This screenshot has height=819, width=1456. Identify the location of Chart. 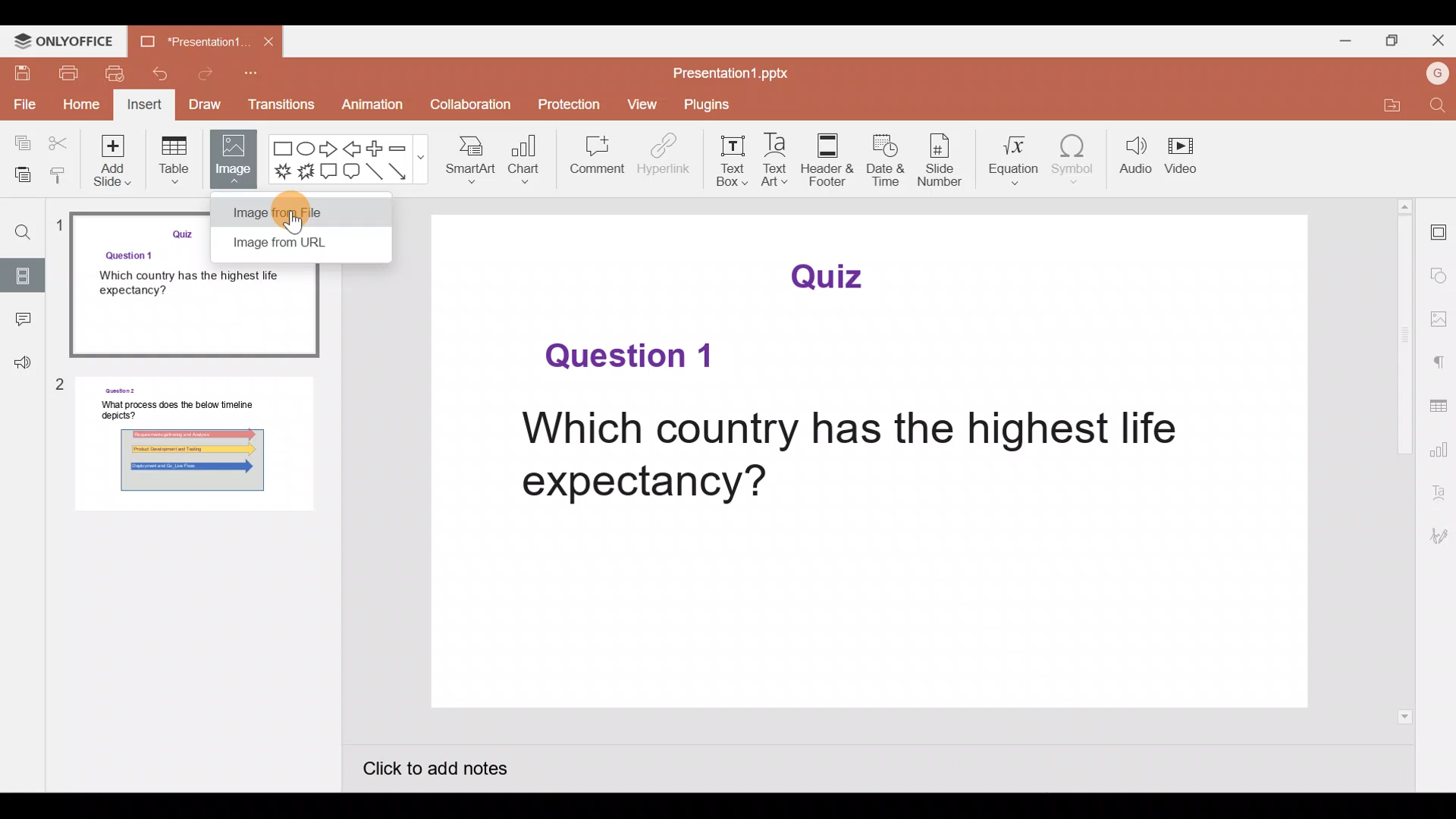
(526, 162).